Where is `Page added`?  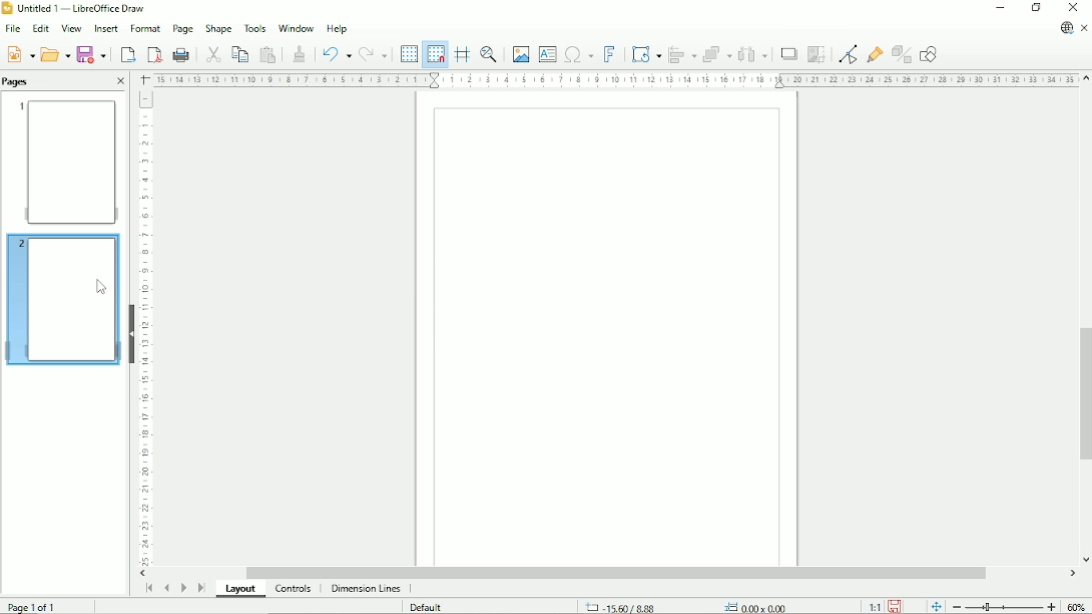 Page added is located at coordinates (61, 297).